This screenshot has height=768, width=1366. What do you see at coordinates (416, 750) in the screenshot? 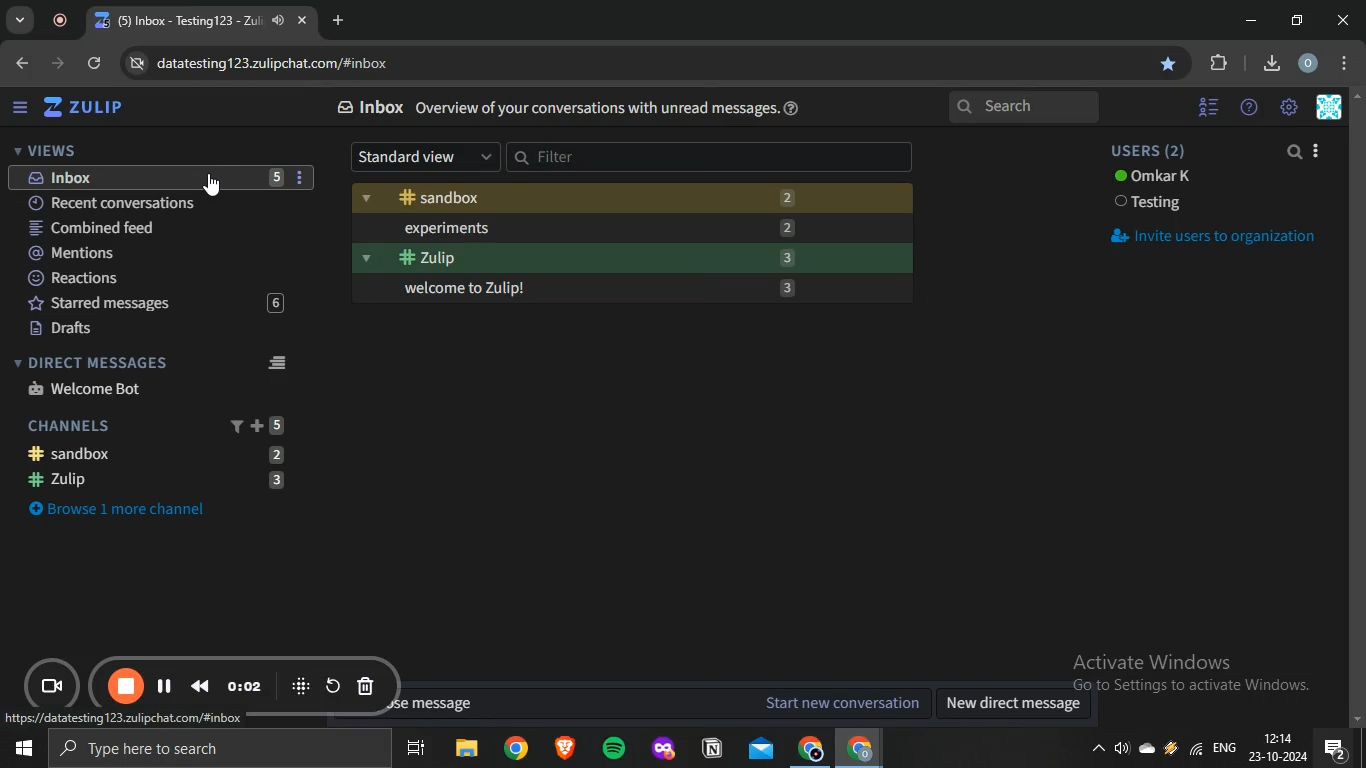
I see `task view` at bounding box center [416, 750].